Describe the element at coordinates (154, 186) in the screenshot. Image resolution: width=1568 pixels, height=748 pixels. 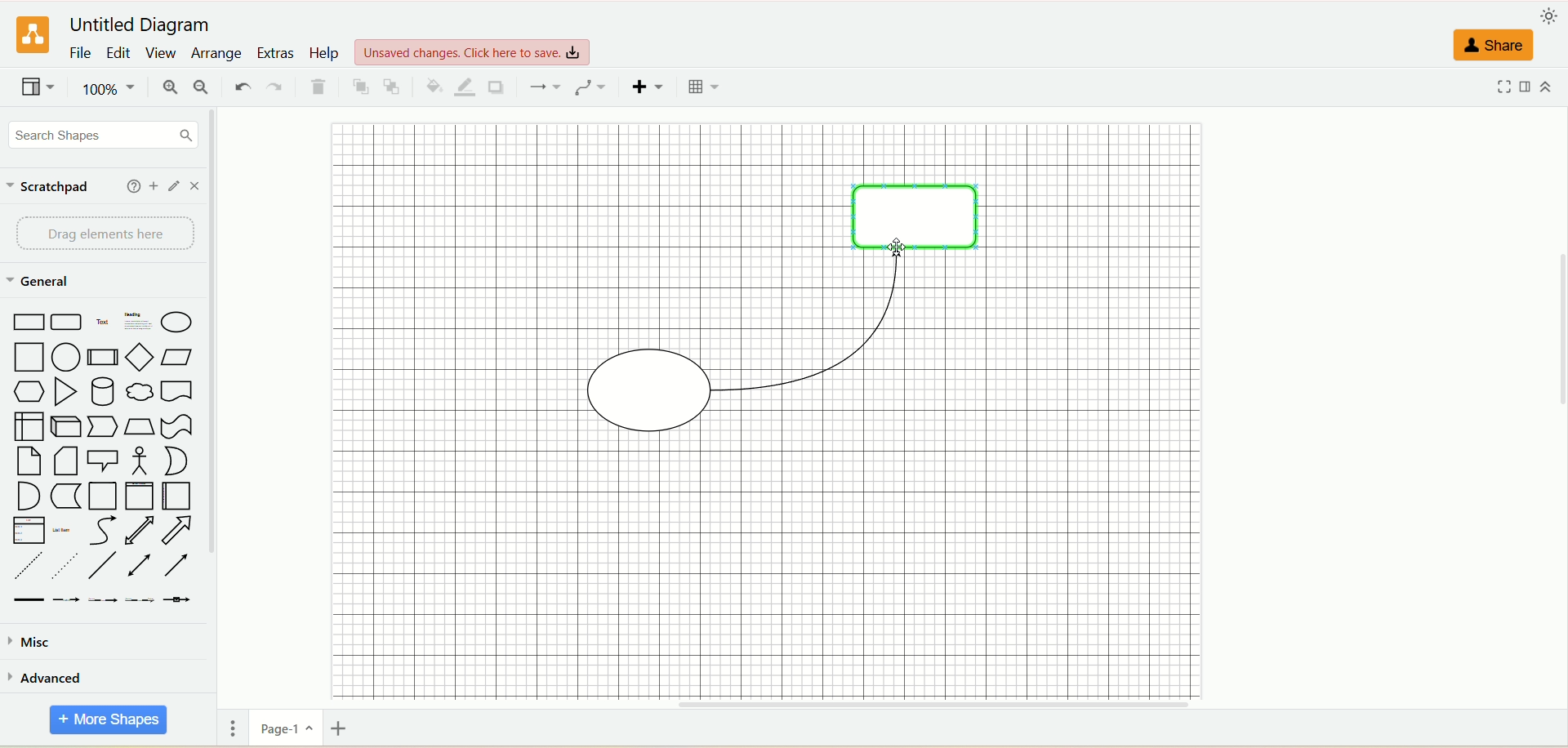
I see `add` at that location.